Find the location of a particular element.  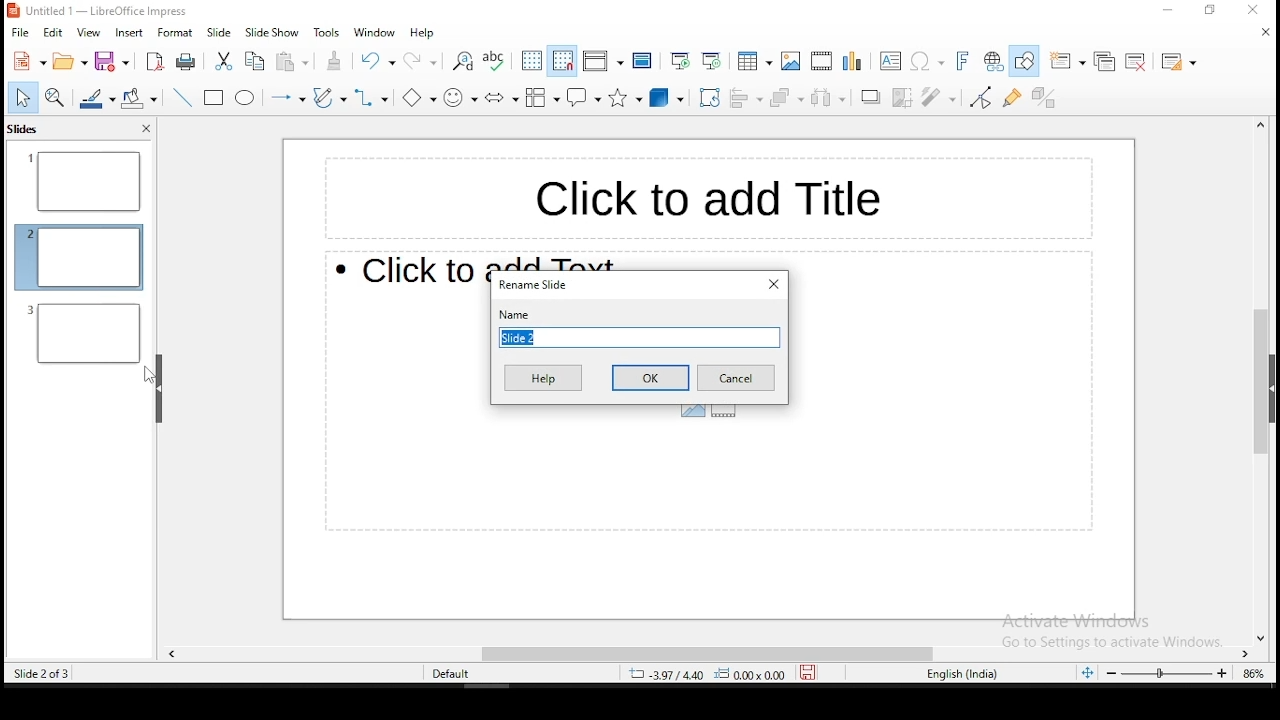

rotate is located at coordinates (709, 99).